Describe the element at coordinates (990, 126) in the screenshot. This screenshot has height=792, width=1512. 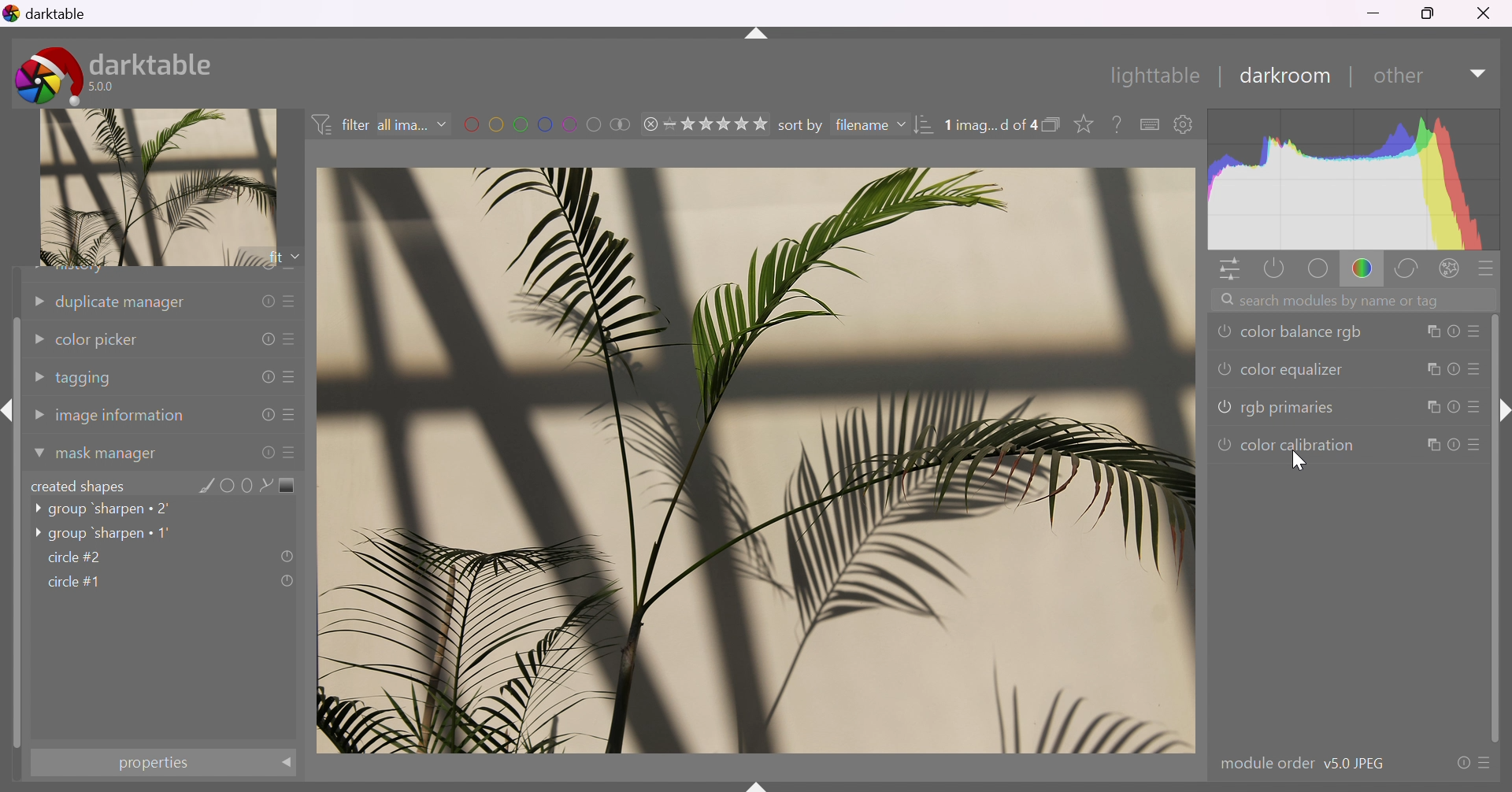
I see `1 image selected of 4` at that location.